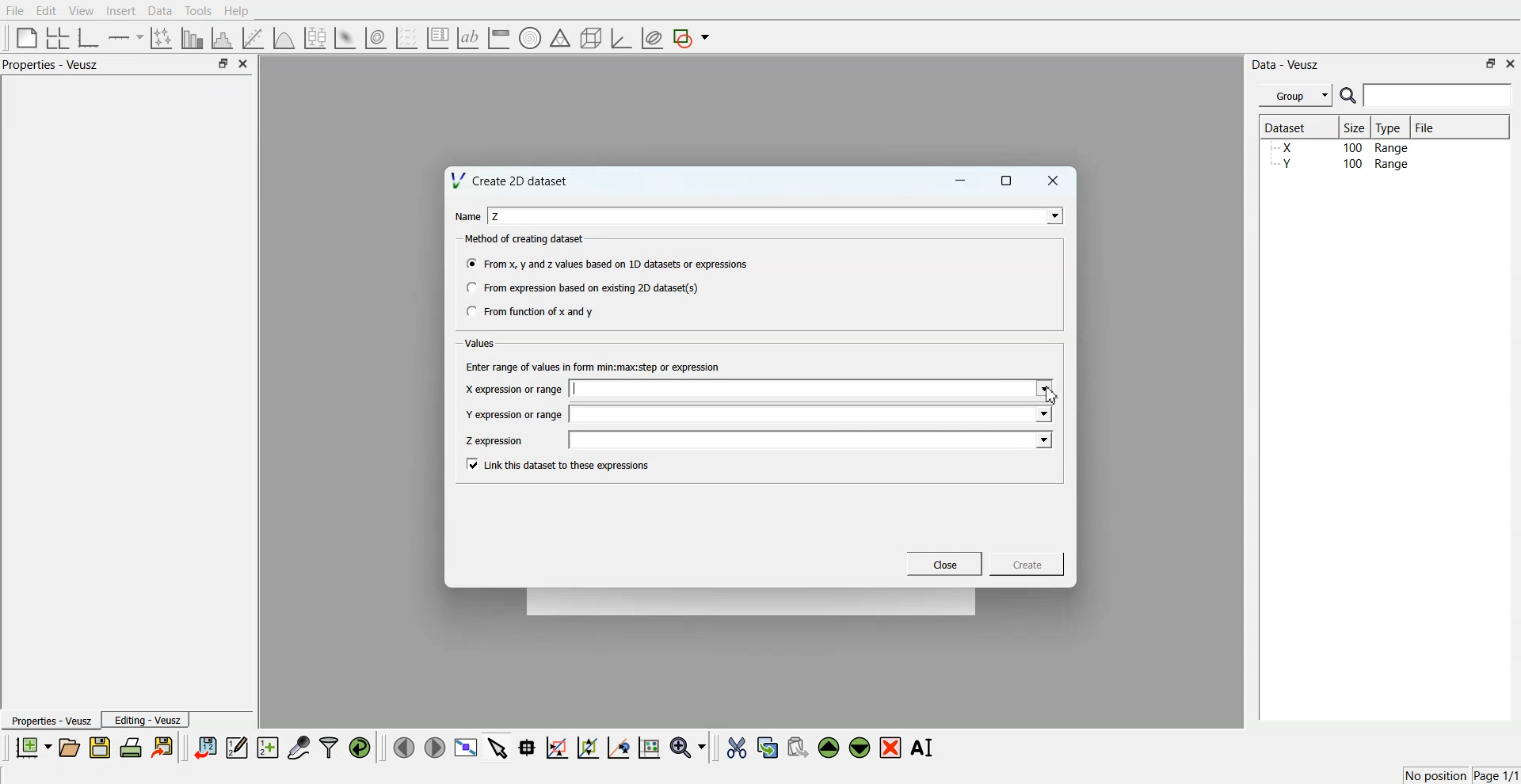 This screenshot has height=784, width=1521. I want to click on Histogram of dataset, so click(220, 39).